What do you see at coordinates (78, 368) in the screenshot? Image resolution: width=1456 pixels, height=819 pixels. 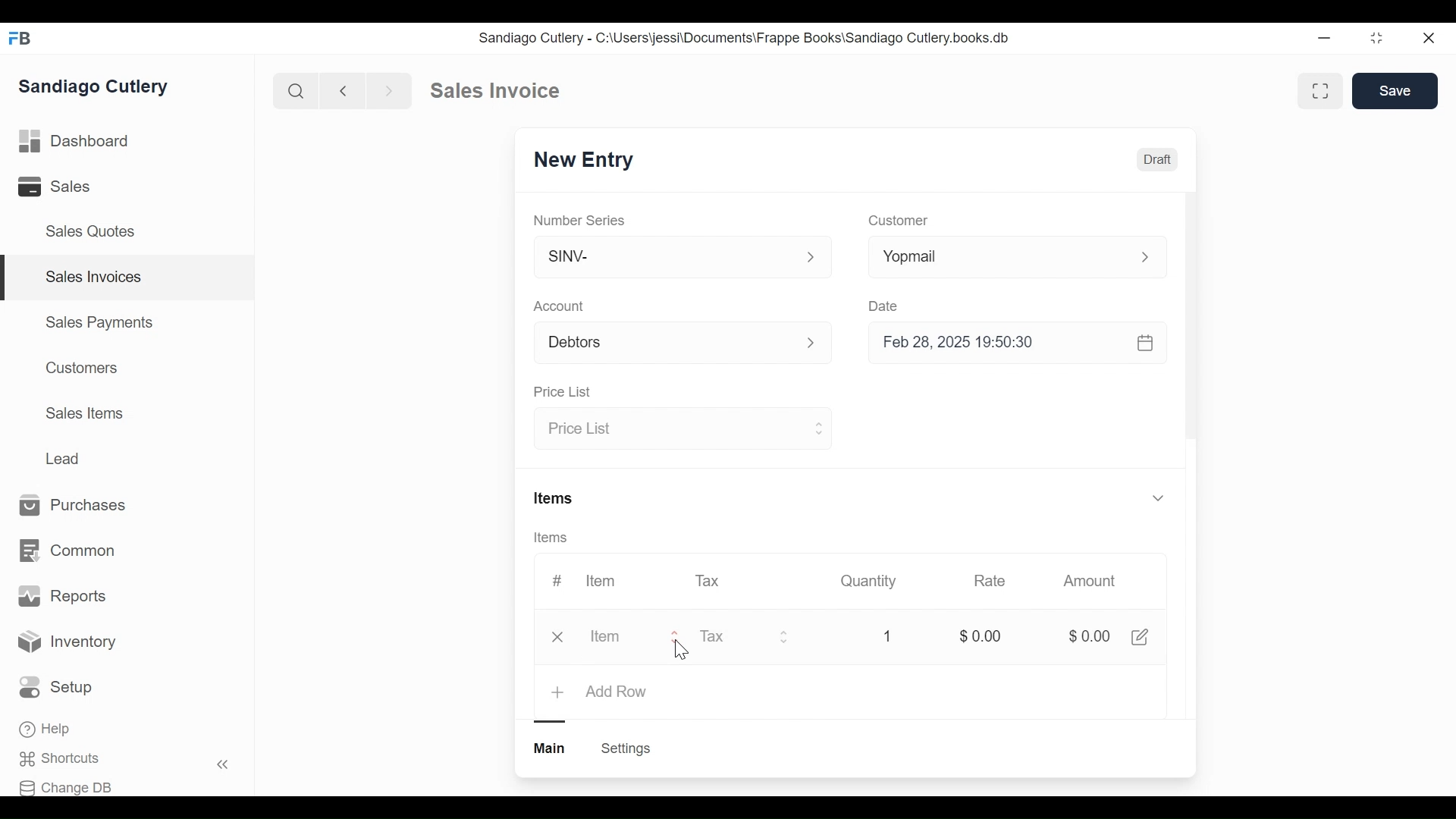 I see `Customers` at bounding box center [78, 368].